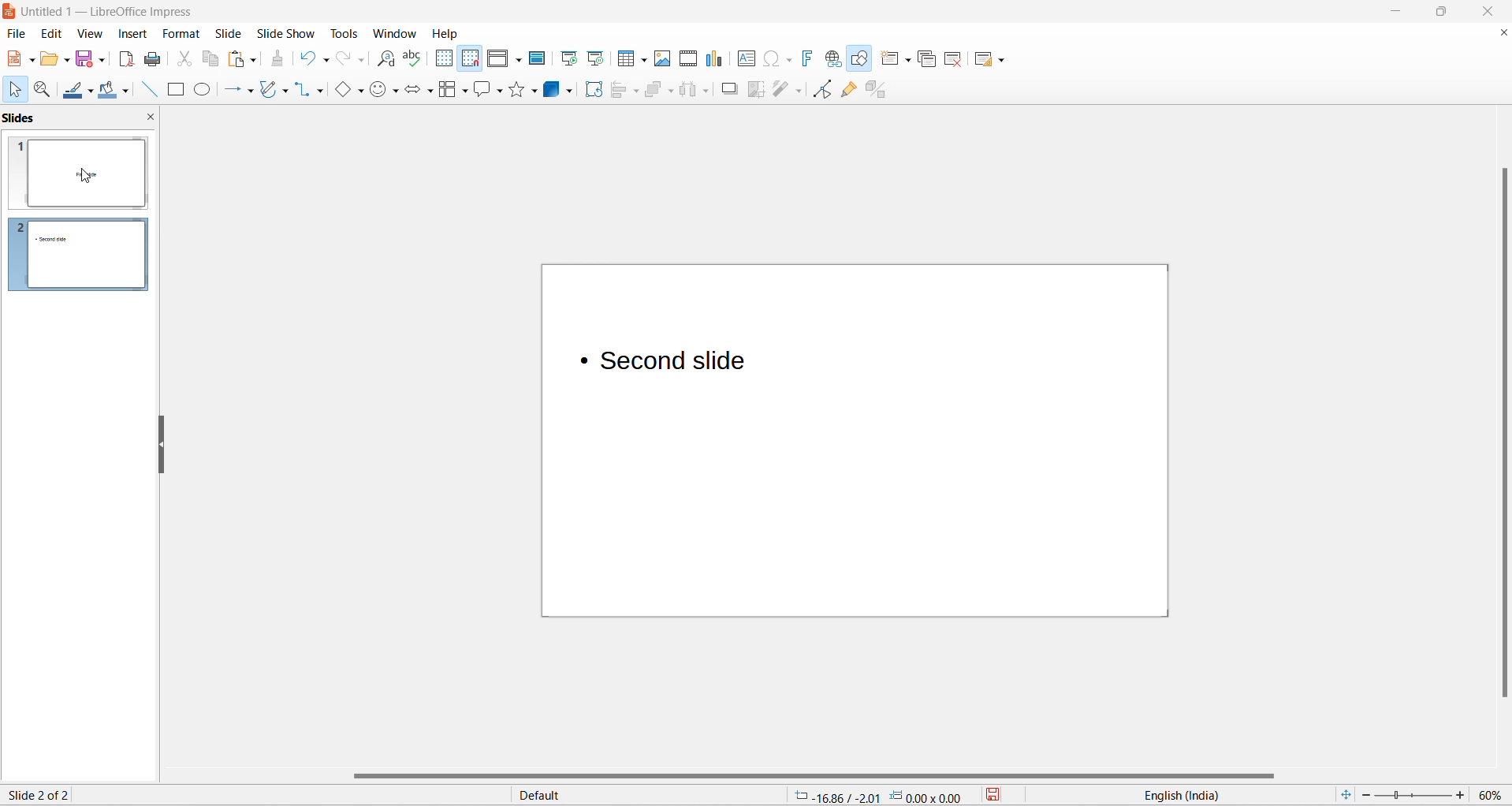 Image resolution: width=1512 pixels, height=806 pixels. Describe the element at coordinates (259, 57) in the screenshot. I see `paste options` at that location.